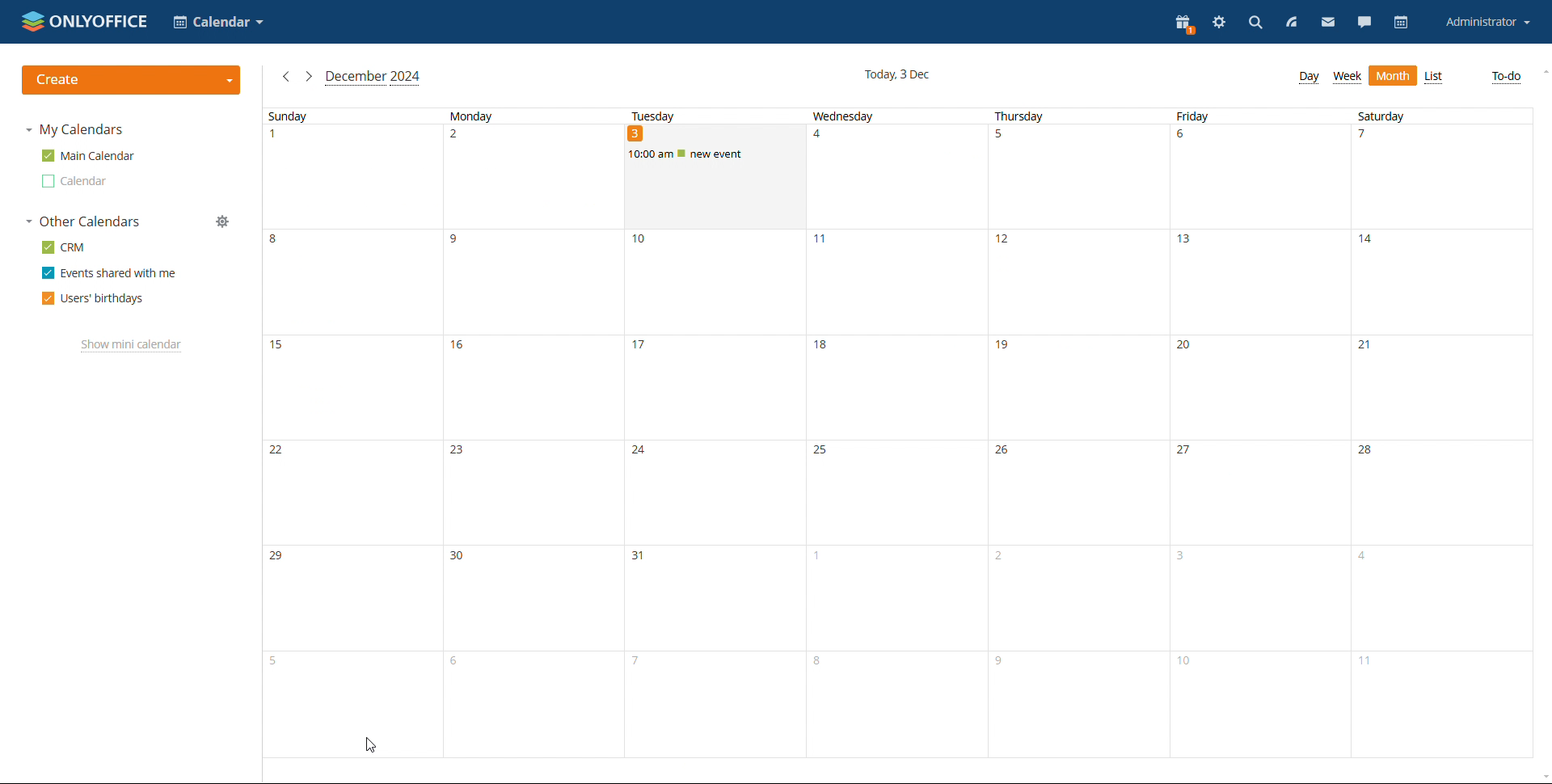 This screenshot has height=784, width=1552. Describe the element at coordinates (1259, 493) in the screenshot. I see `27` at that location.